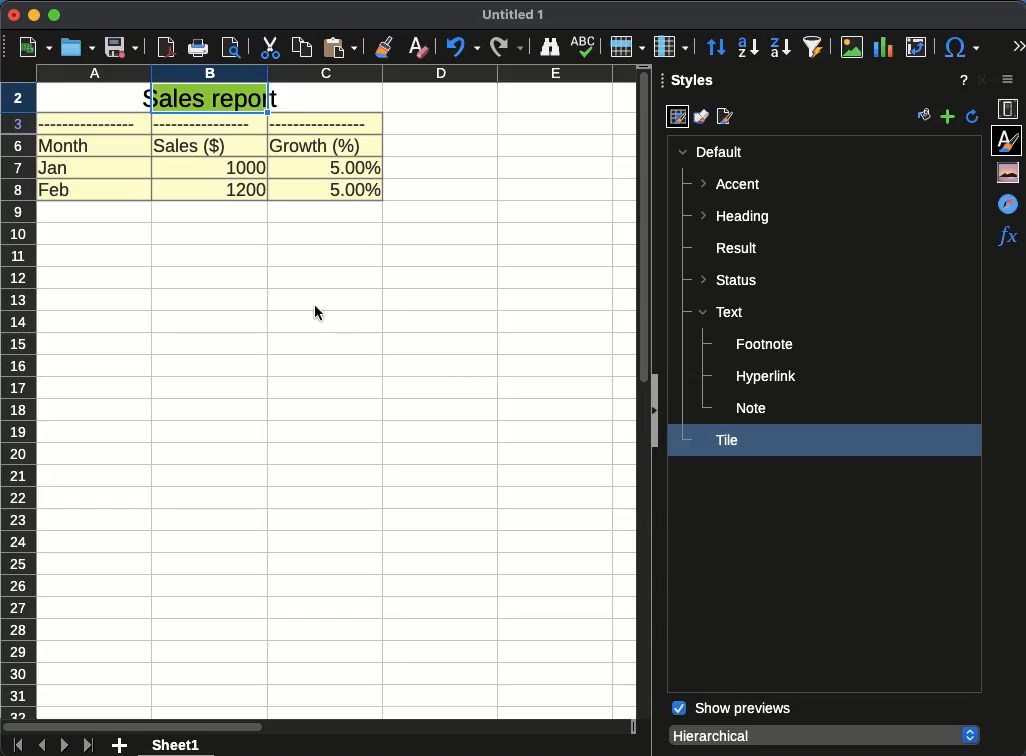 This screenshot has height=756, width=1026. I want to click on expand, so click(1018, 47).